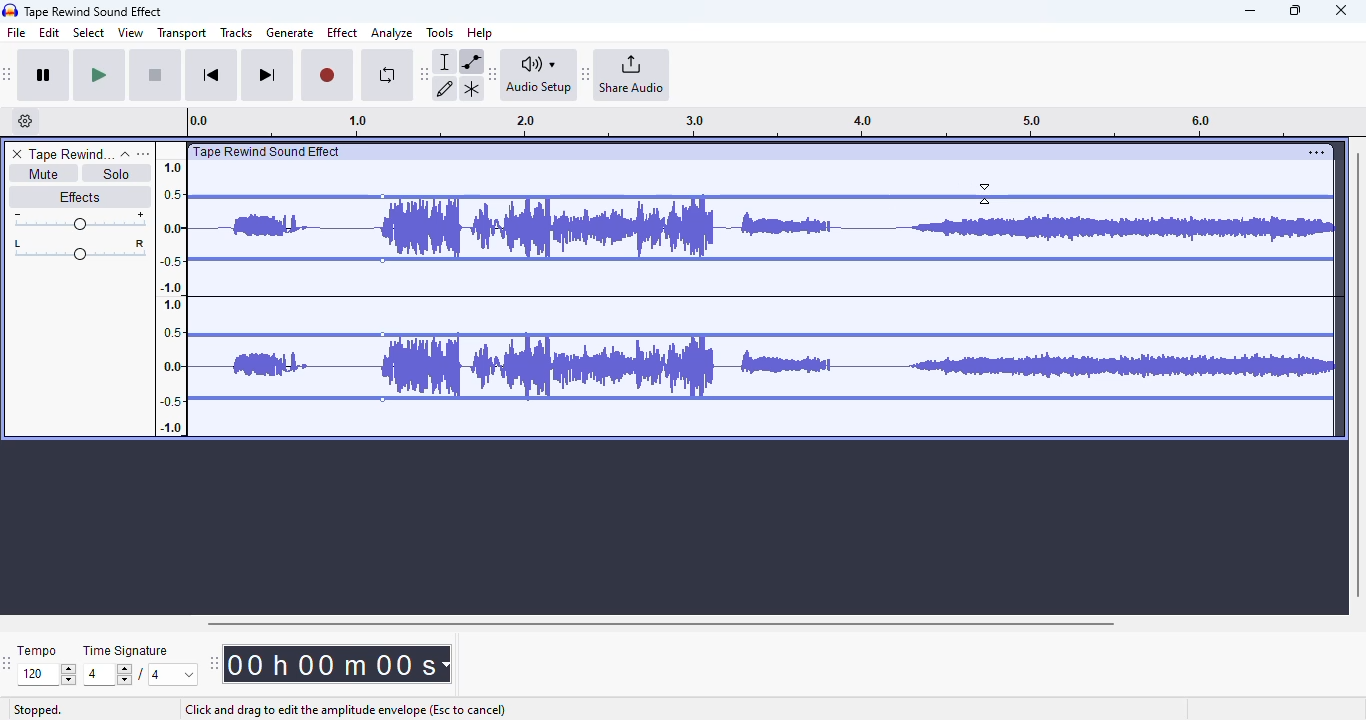 The width and height of the screenshot is (1366, 720). What do you see at coordinates (447, 61) in the screenshot?
I see `selection tool` at bounding box center [447, 61].